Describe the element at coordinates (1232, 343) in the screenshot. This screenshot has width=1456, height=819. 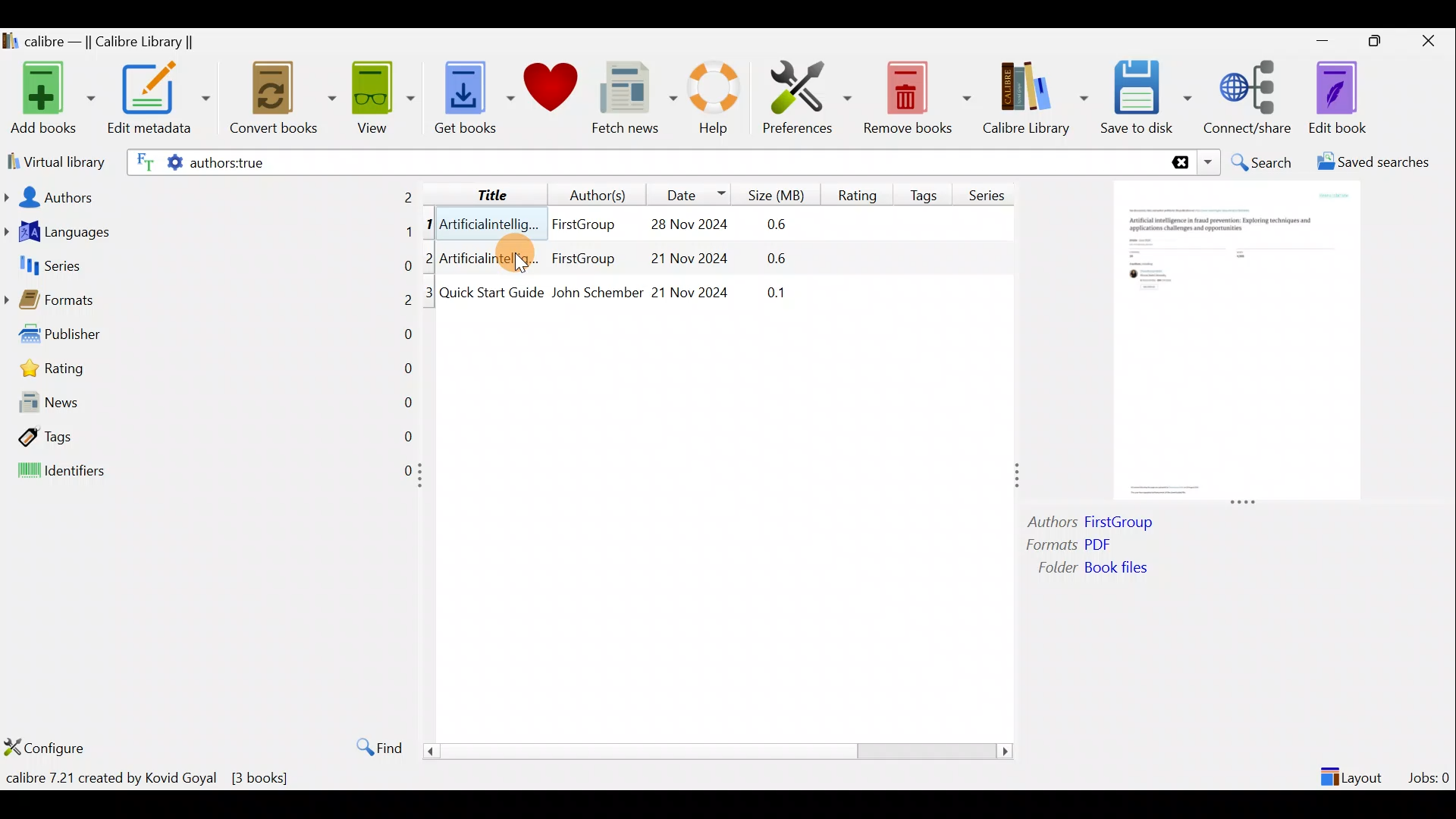
I see `Preview` at that location.